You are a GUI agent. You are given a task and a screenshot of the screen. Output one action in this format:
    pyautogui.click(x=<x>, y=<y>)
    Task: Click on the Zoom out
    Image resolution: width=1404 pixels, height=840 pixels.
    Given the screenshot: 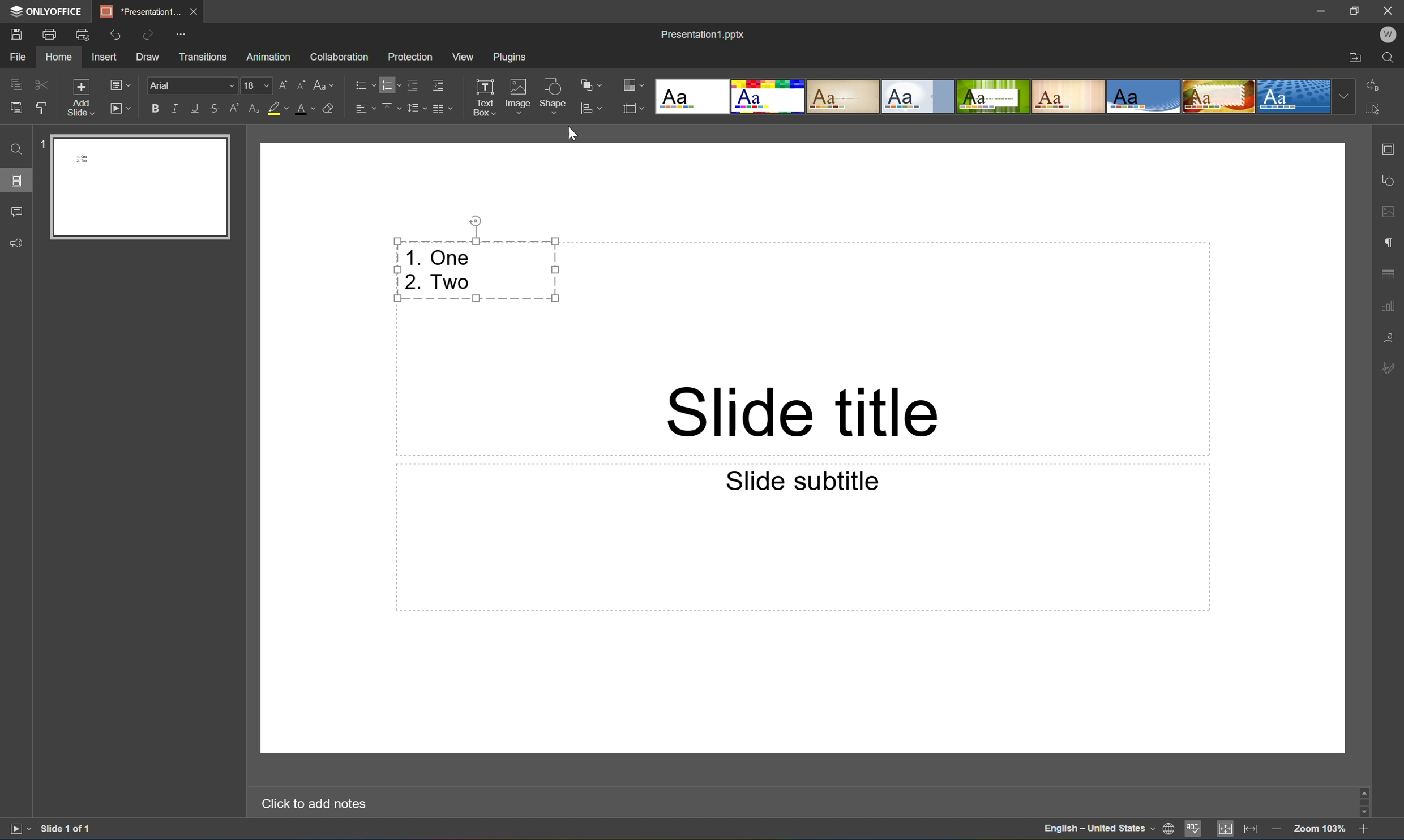 What is the action you would take?
    pyautogui.click(x=1277, y=832)
    